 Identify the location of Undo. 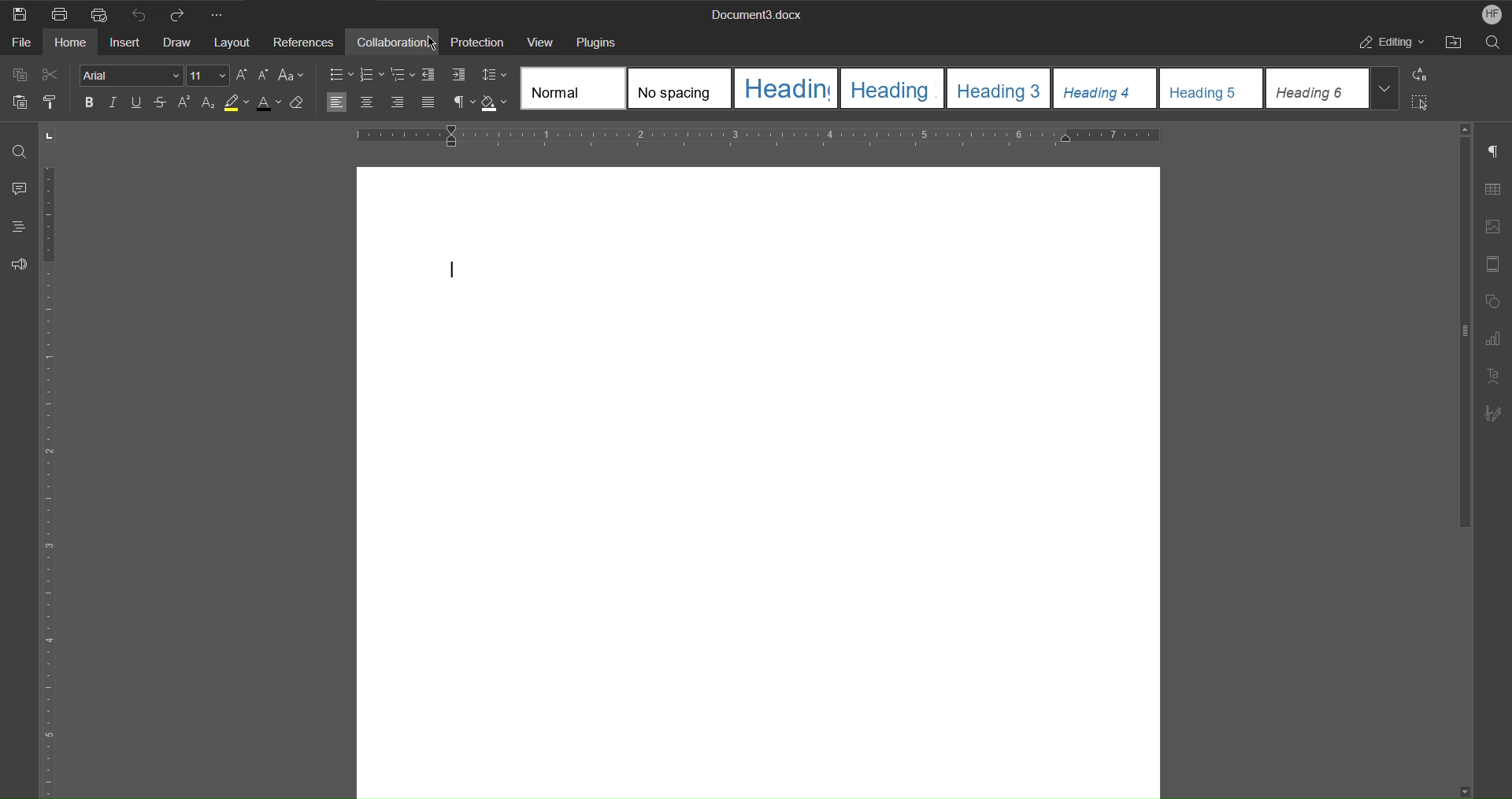
(142, 14).